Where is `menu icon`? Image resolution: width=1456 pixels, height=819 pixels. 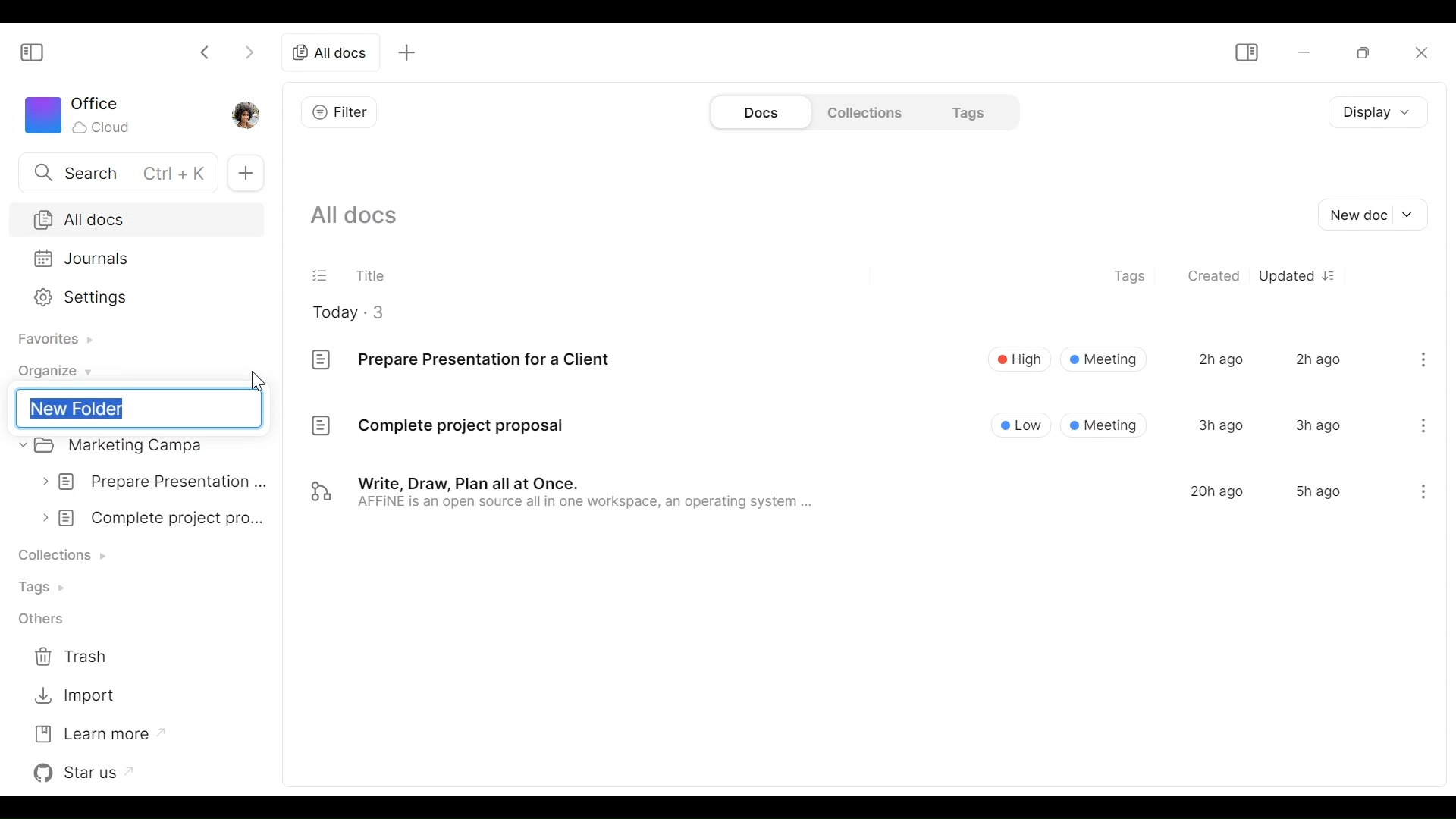
menu icon is located at coordinates (1424, 357).